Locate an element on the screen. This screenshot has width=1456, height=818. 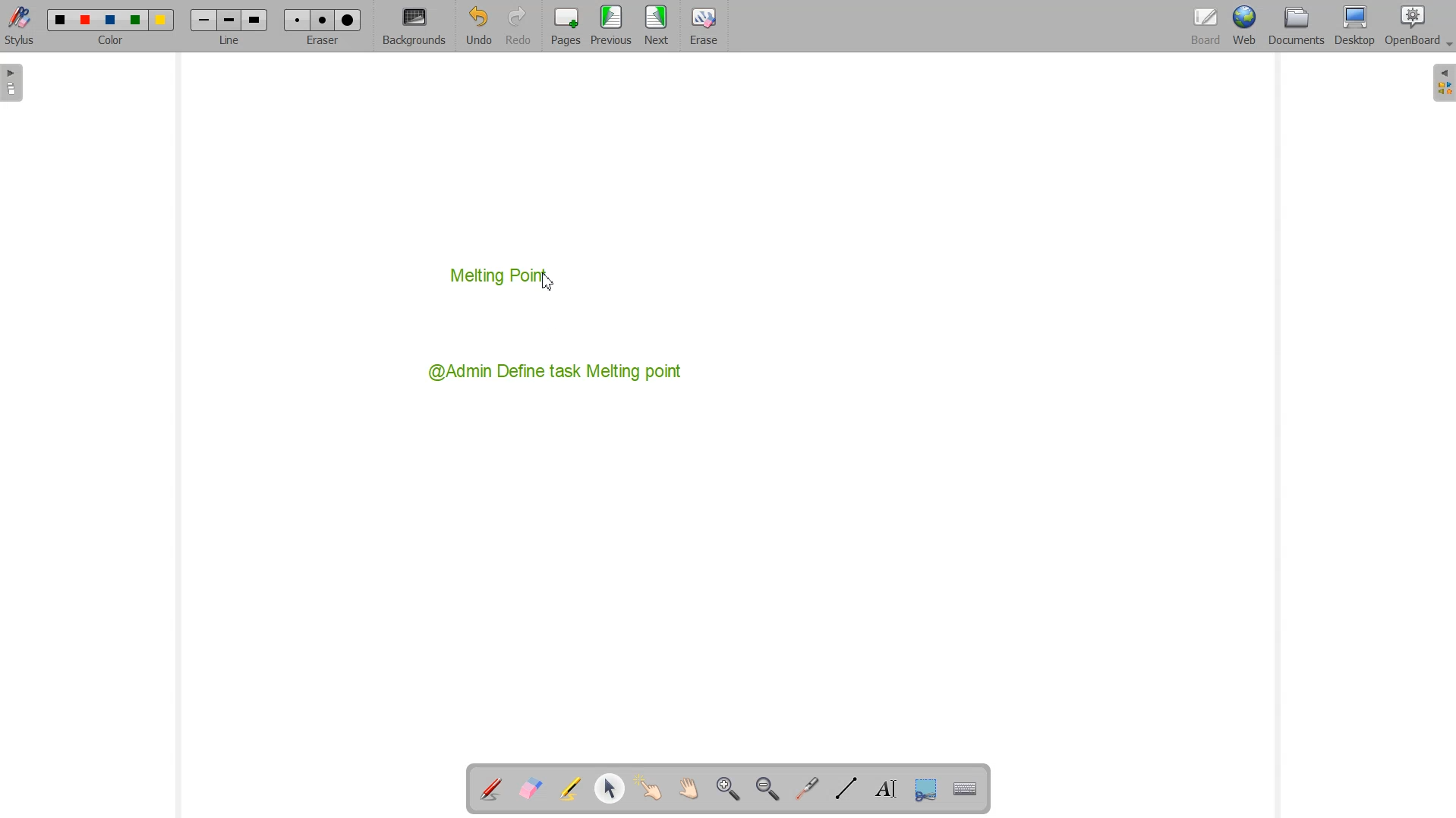
Undo is located at coordinates (478, 26).